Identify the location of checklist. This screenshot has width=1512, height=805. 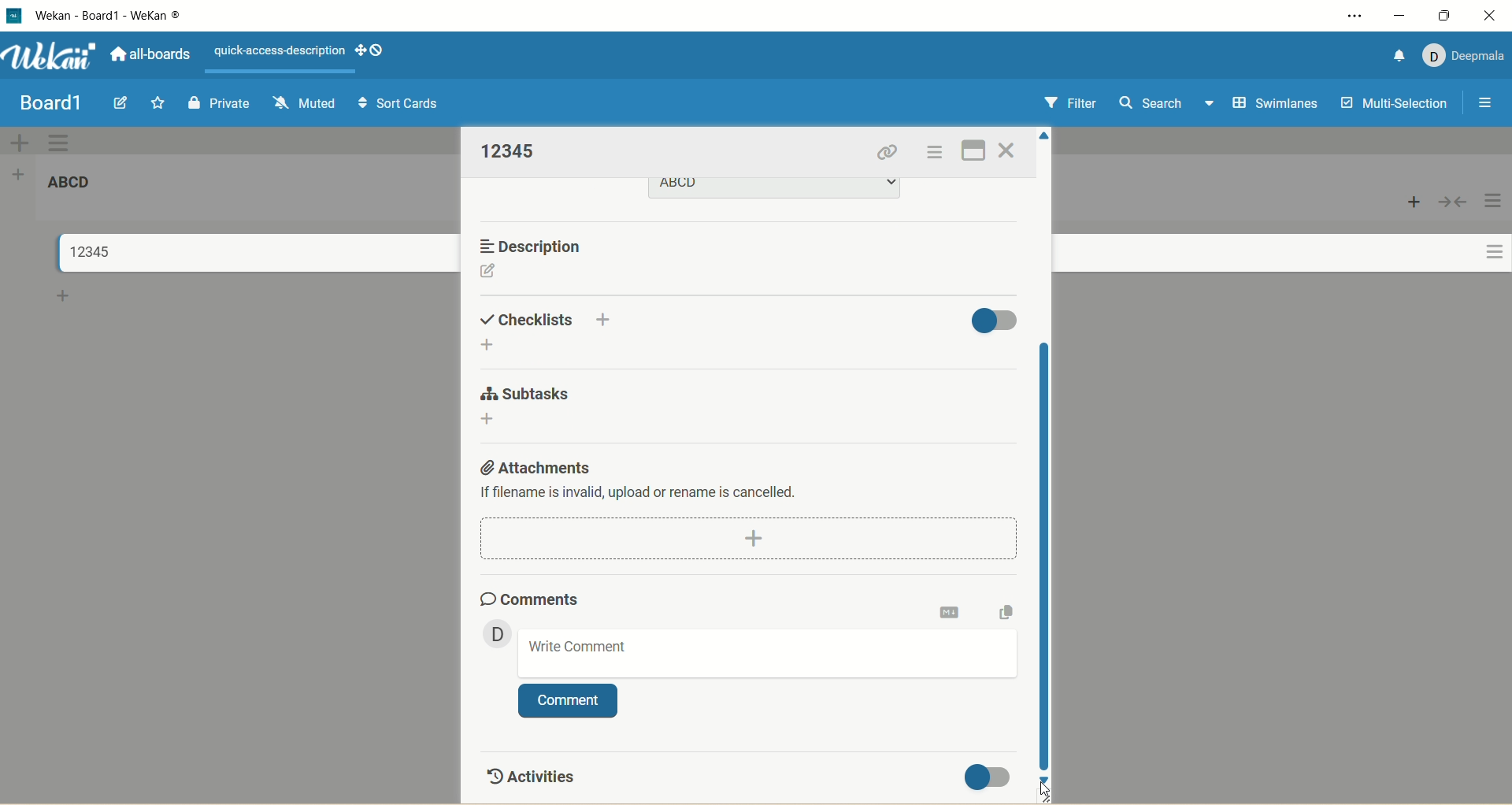
(528, 317).